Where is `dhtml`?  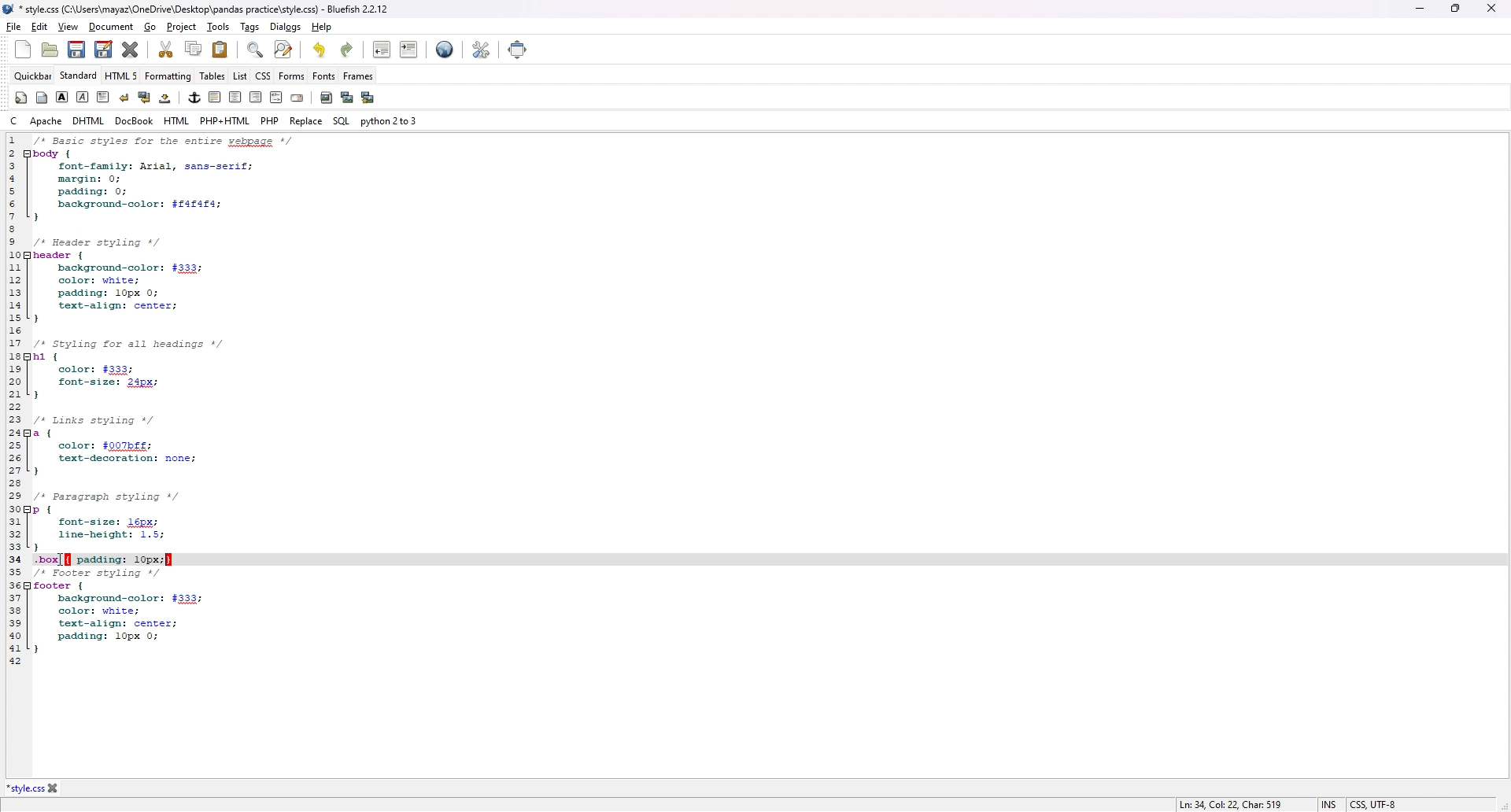 dhtml is located at coordinates (90, 120).